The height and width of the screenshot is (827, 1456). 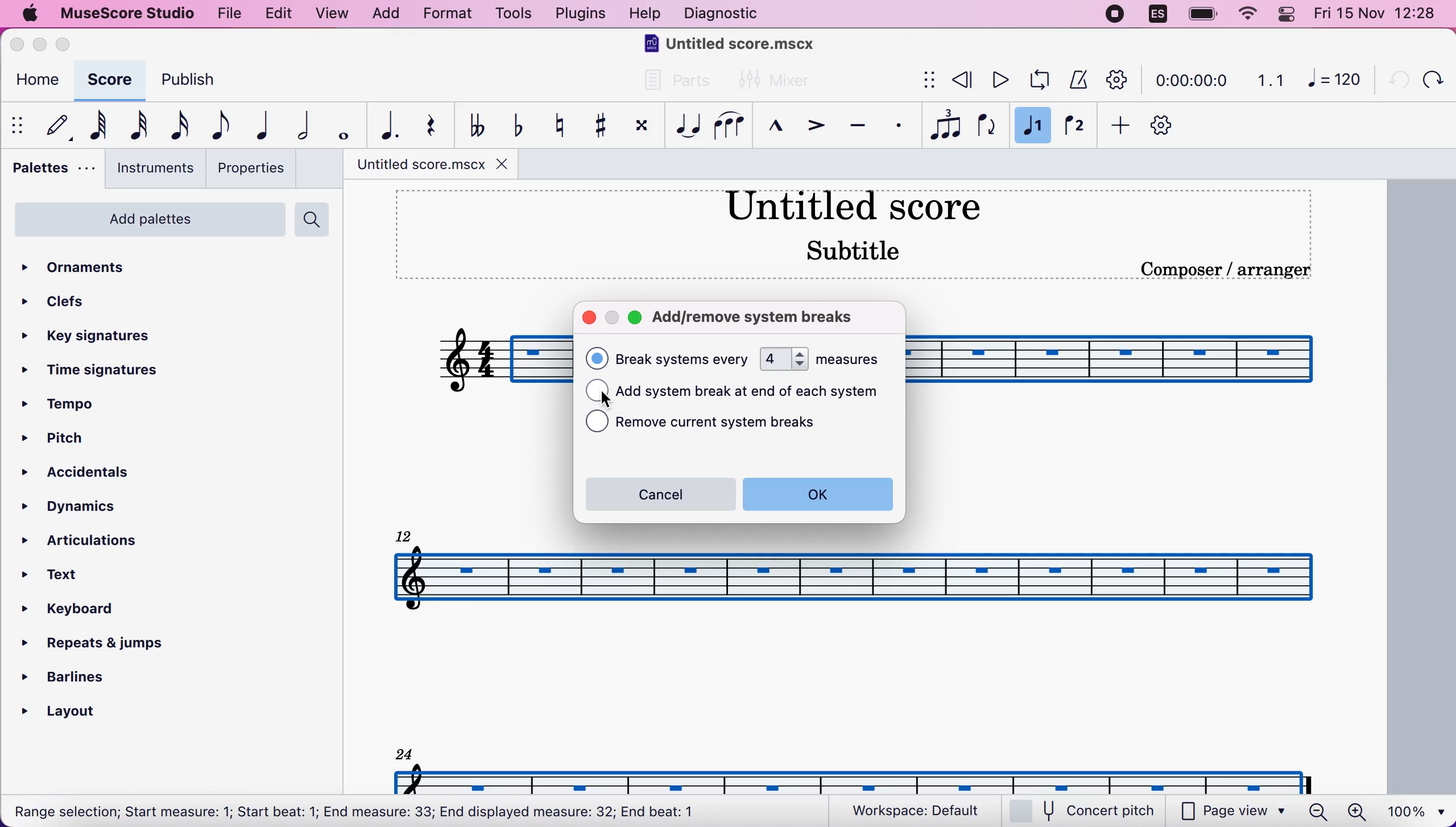 What do you see at coordinates (278, 14) in the screenshot?
I see `edit` at bounding box center [278, 14].